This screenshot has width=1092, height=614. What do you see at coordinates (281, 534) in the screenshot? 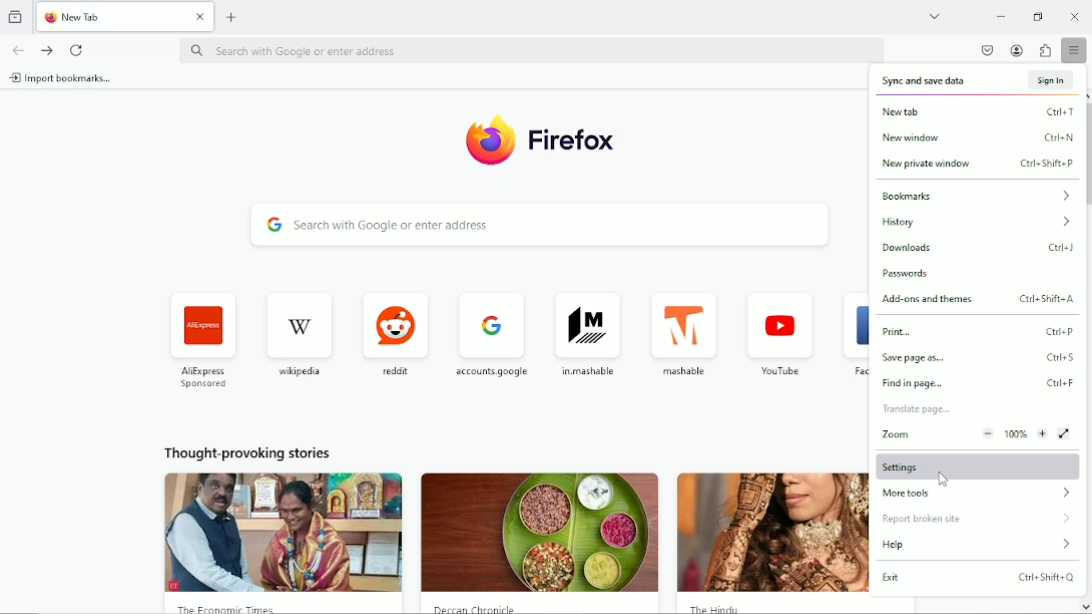
I see `the economic times image` at bounding box center [281, 534].